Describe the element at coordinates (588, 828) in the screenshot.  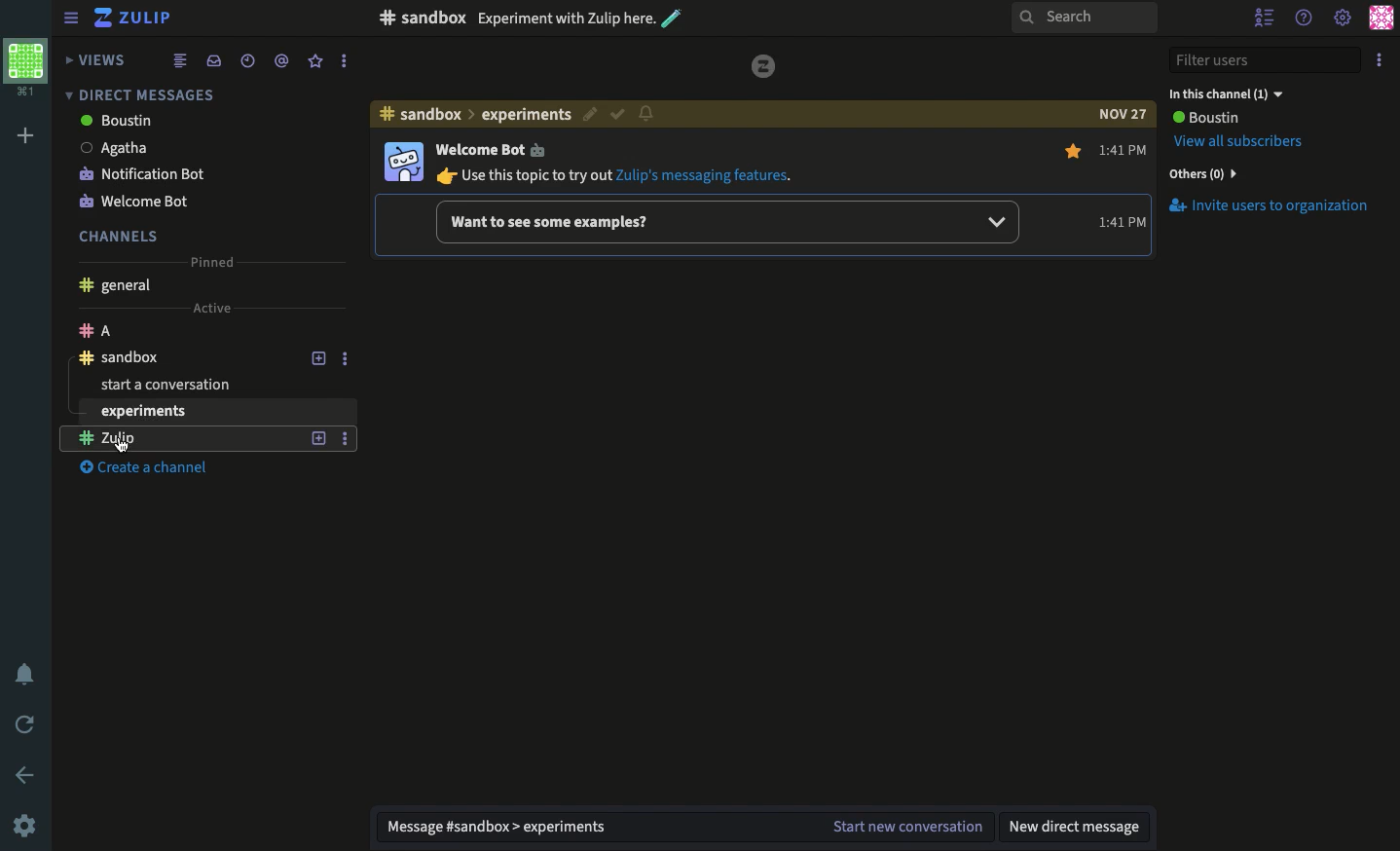
I see `Message` at that location.